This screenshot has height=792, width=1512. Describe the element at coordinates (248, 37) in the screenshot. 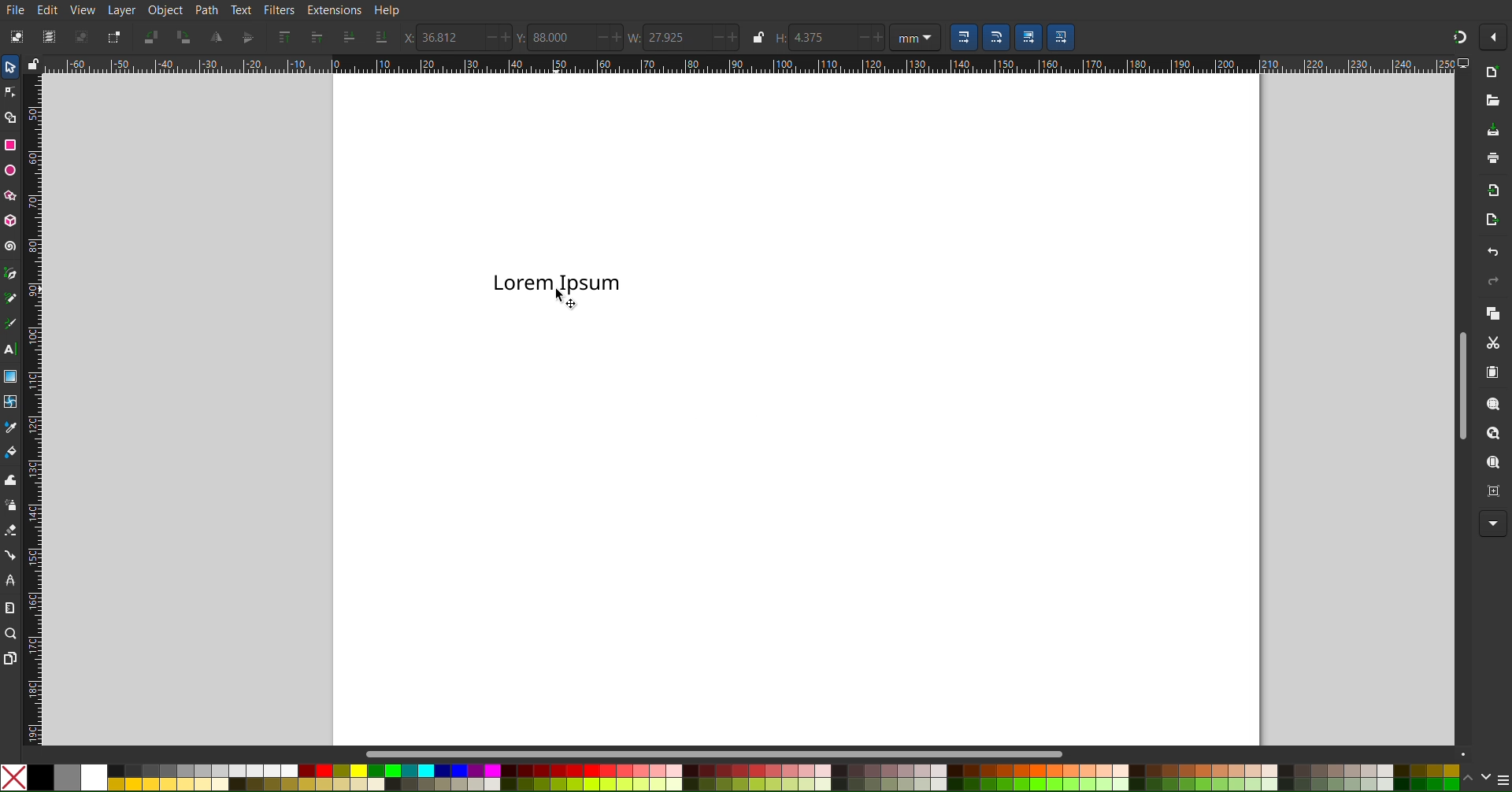

I see `mirror vertically` at that location.